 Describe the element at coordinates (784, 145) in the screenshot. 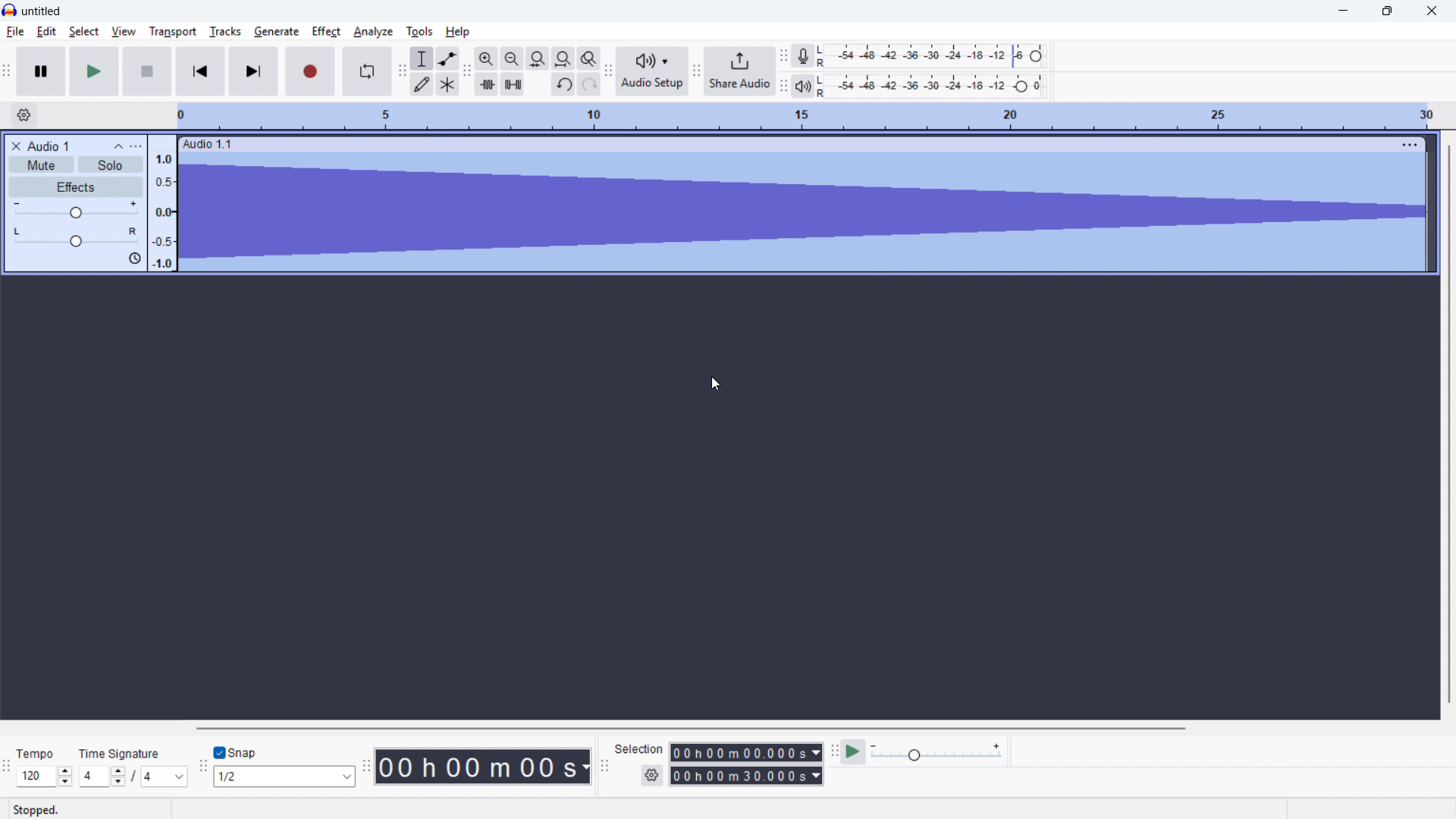

I see `Click to drag` at that location.